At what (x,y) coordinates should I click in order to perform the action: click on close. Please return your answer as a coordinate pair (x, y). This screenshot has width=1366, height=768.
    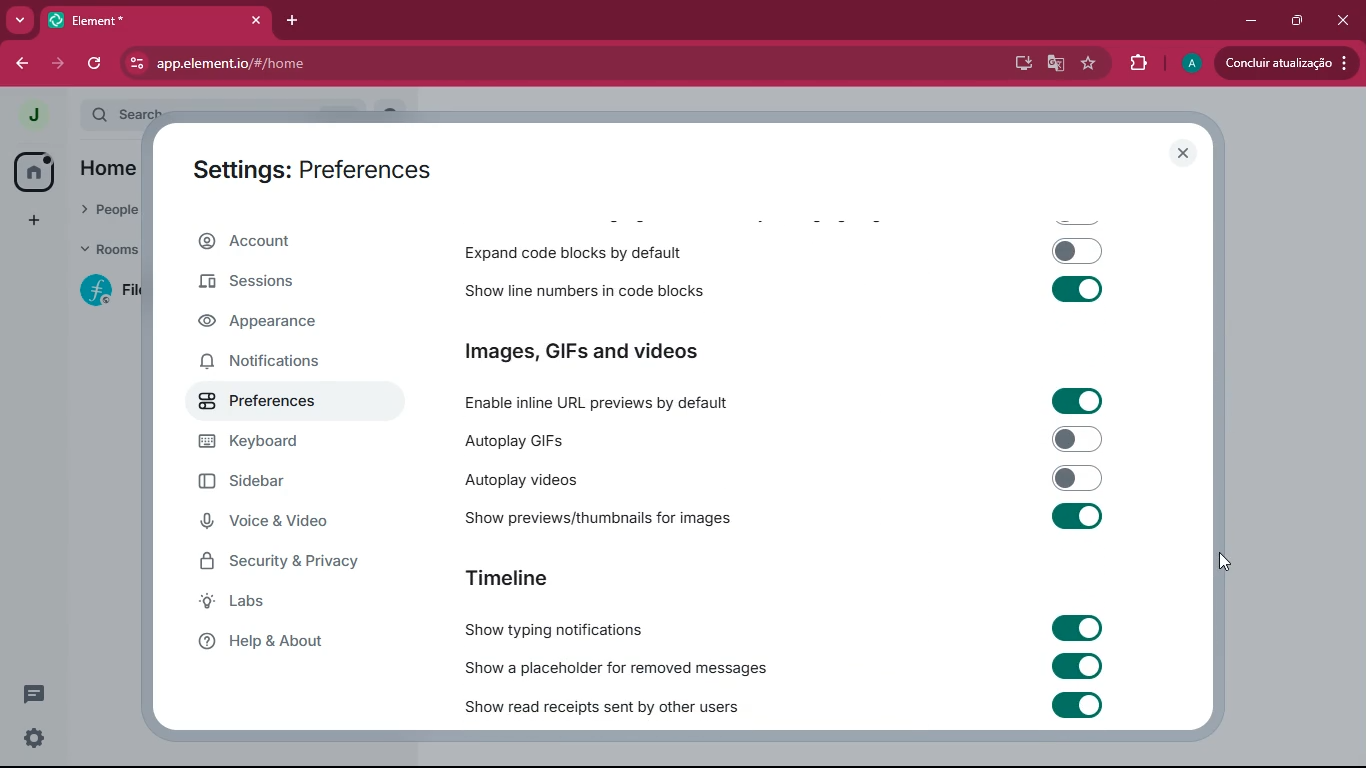
    Looking at the image, I should click on (1180, 152).